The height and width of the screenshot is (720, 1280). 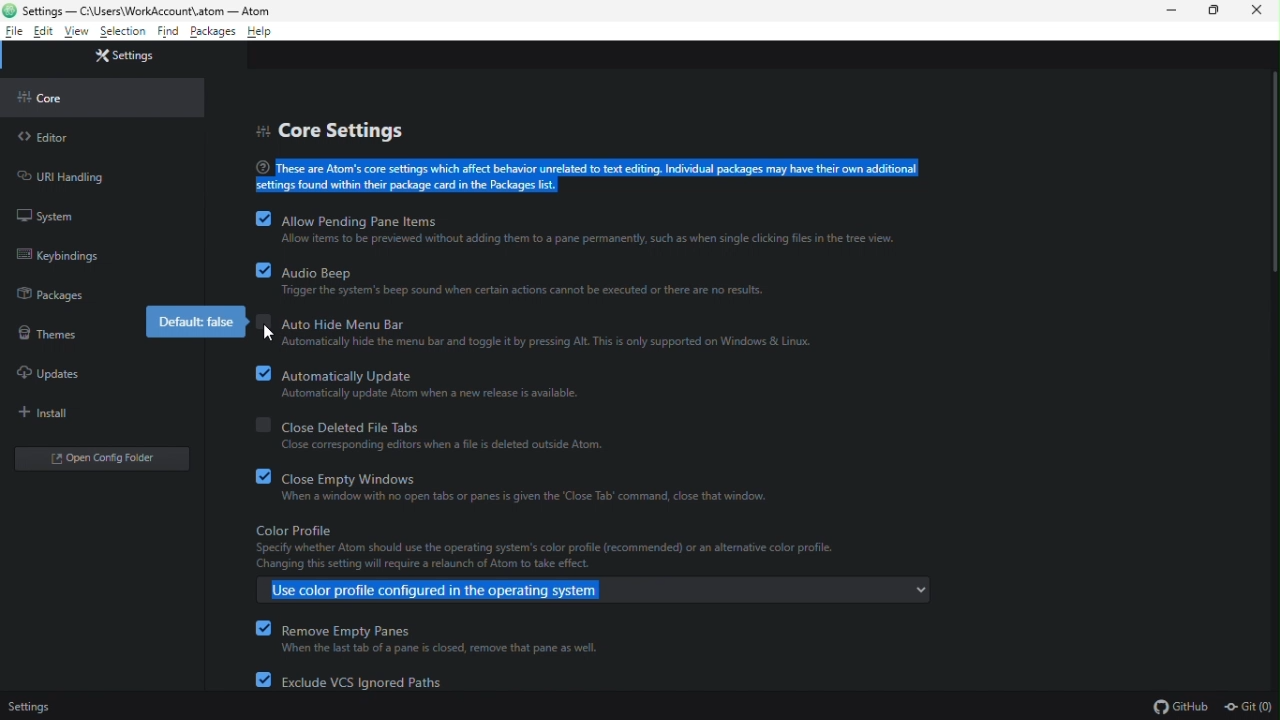 I want to click on cursor, so click(x=272, y=334).